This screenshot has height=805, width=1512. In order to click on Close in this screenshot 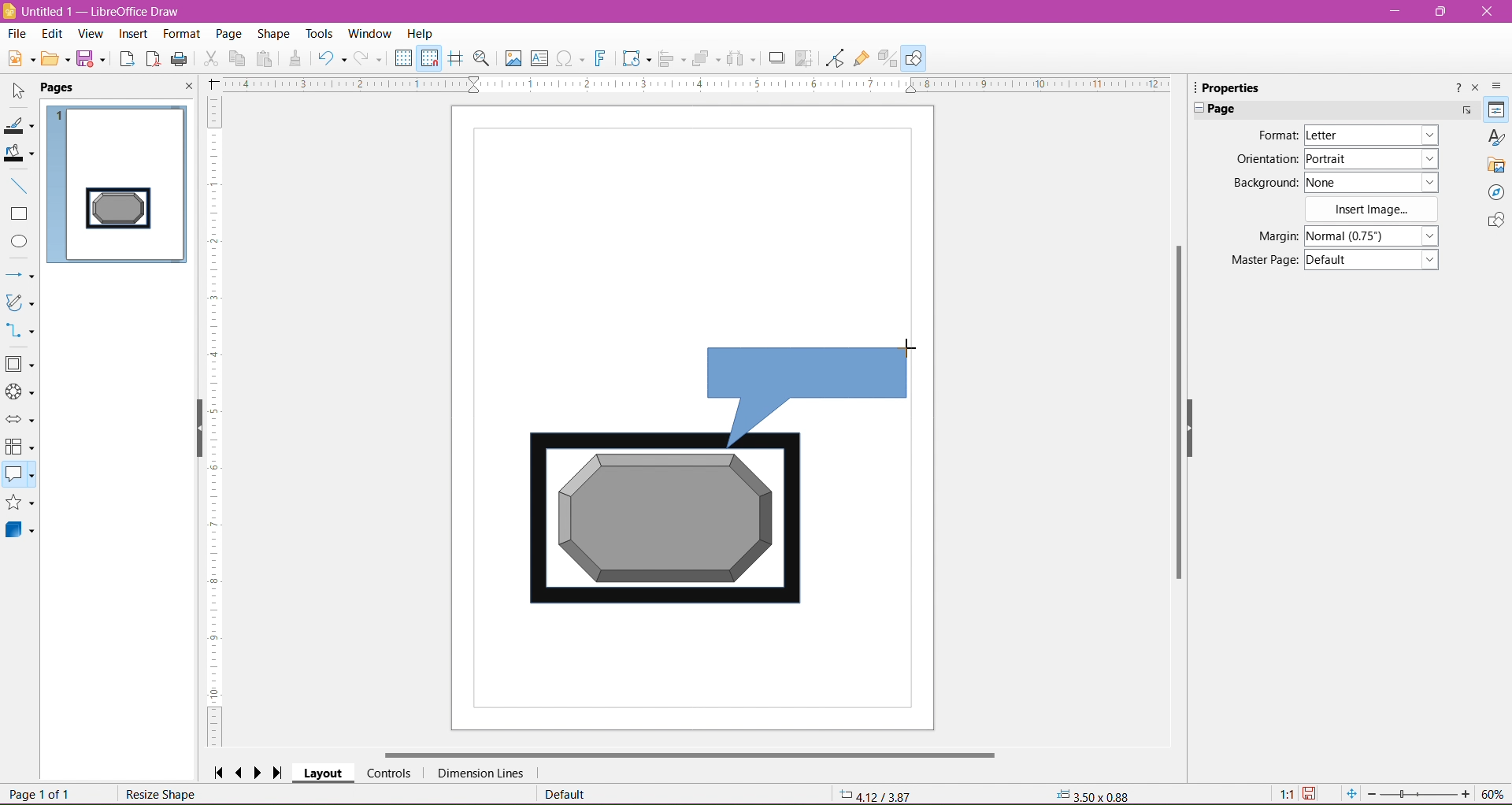, I will do `click(1486, 12)`.